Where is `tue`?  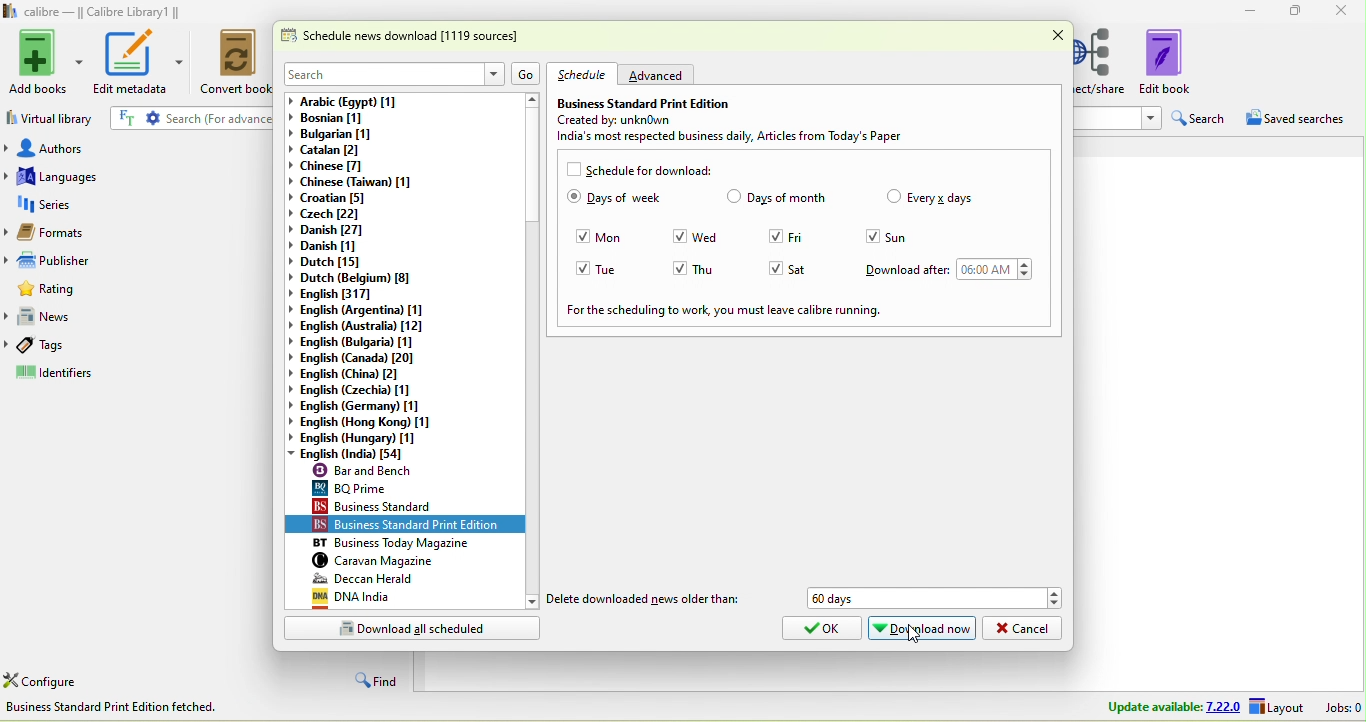
tue is located at coordinates (619, 270).